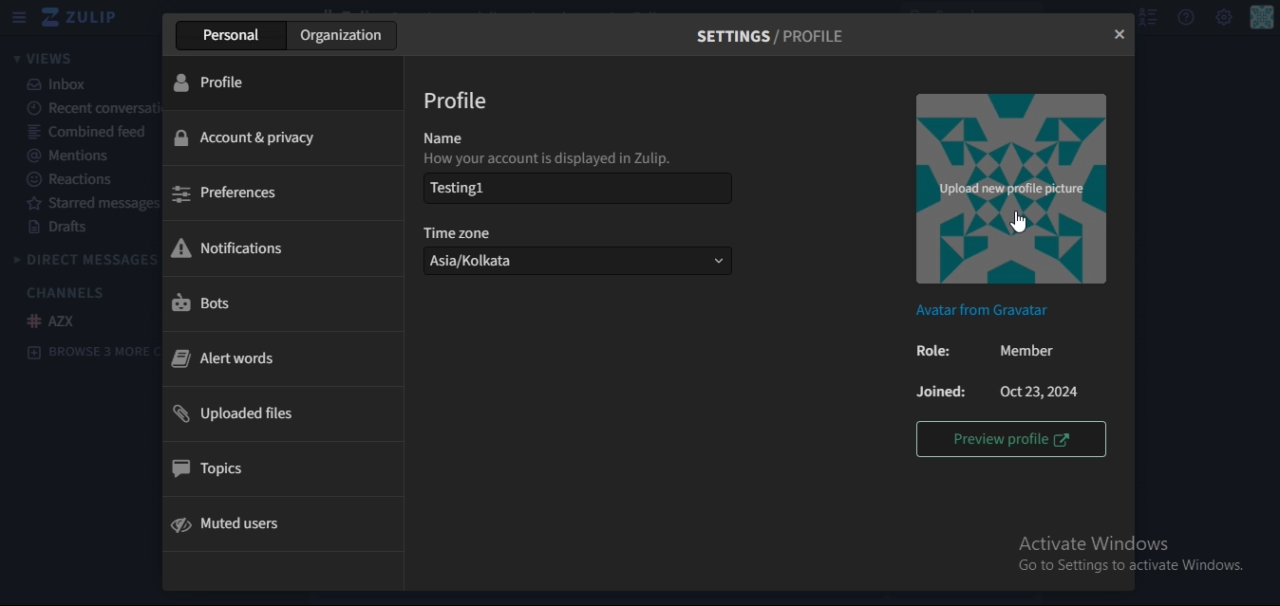 This screenshot has height=606, width=1280. I want to click on help, so click(1184, 18).